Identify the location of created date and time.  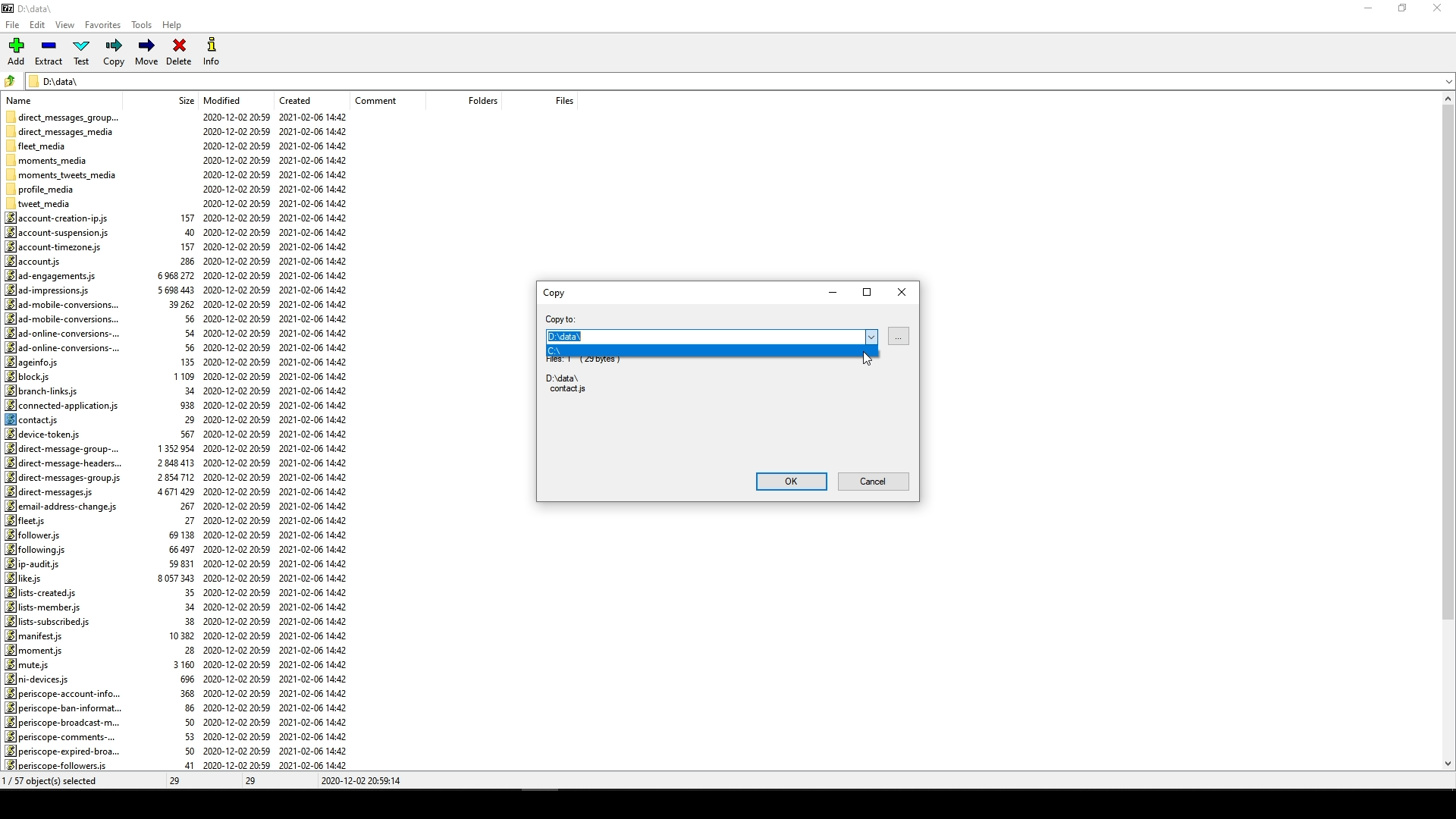
(316, 442).